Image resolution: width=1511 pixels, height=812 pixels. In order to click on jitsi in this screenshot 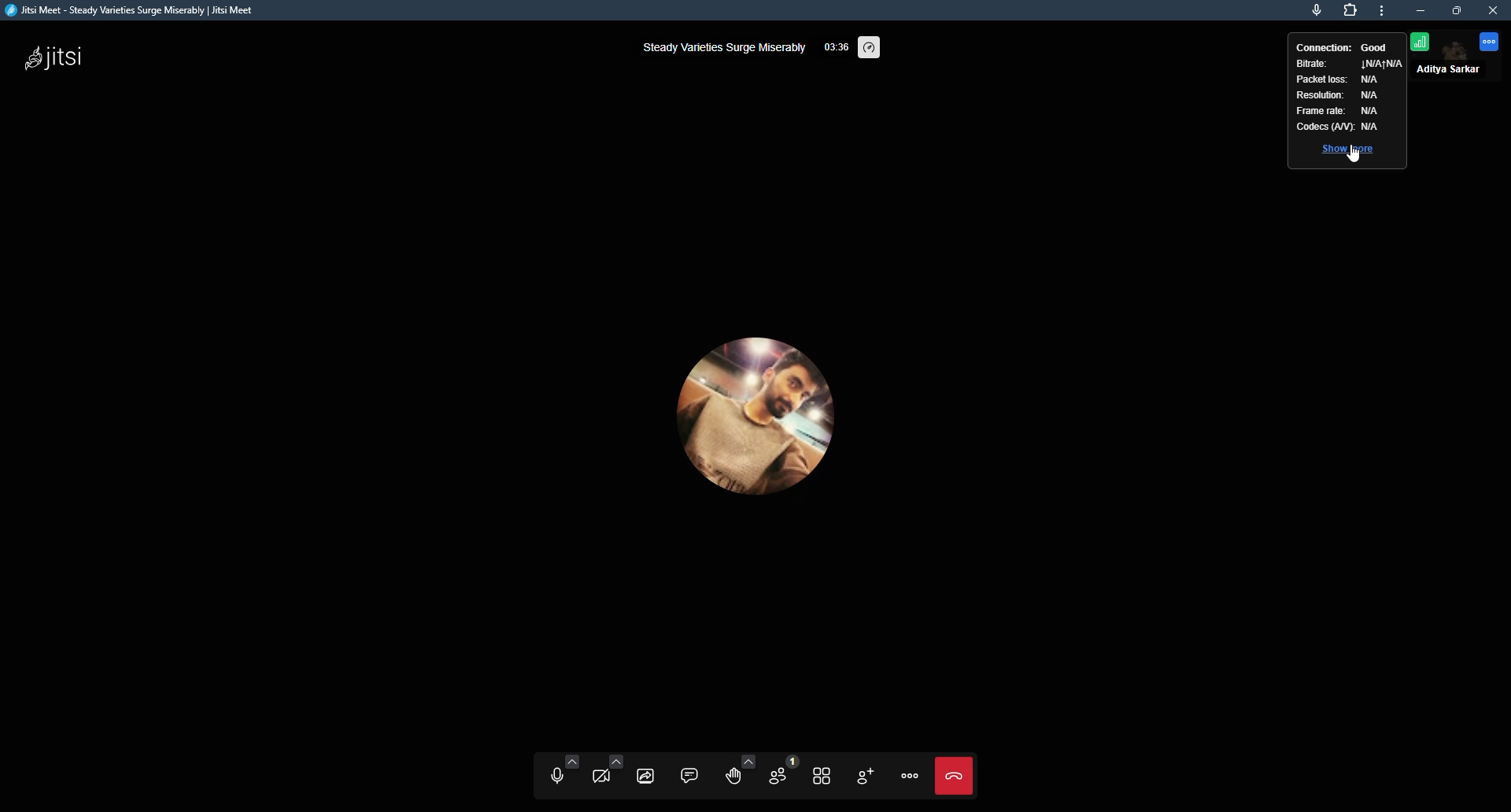, I will do `click(140, 13)`.